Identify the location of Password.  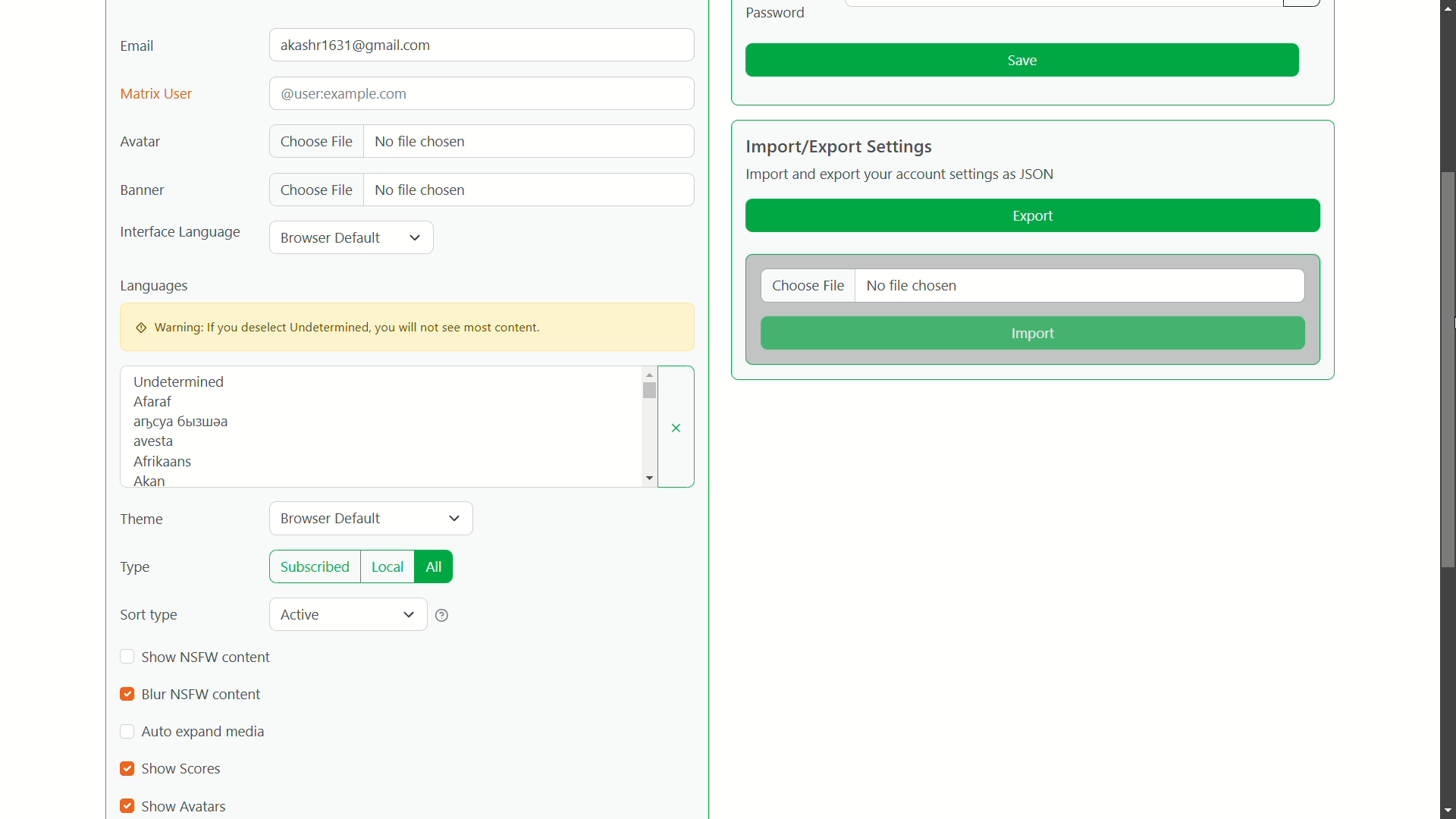
(777, 12).